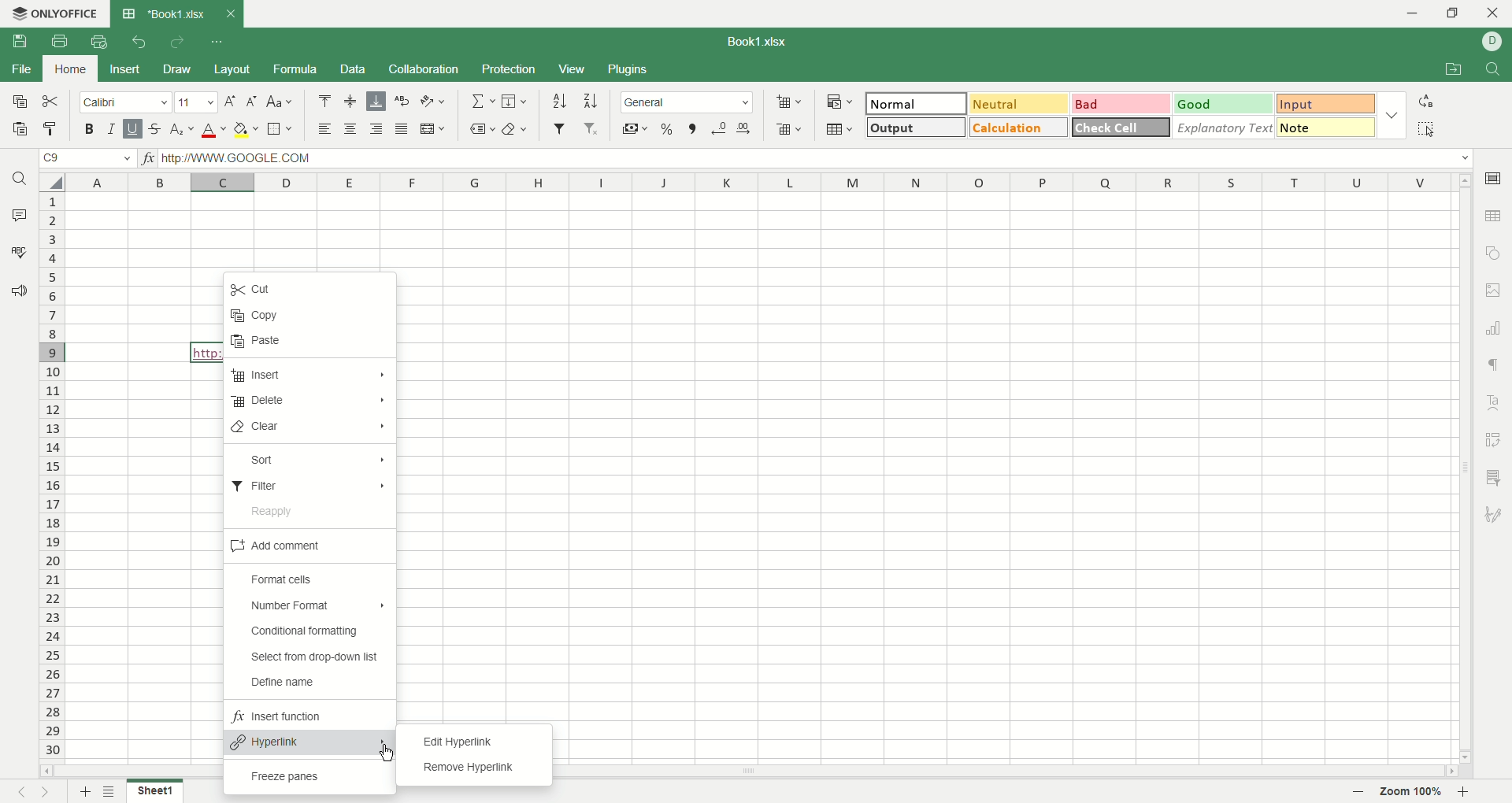  Describe the element at coordinates (1429, 129) in the screenshot. I see `select all` at that location.